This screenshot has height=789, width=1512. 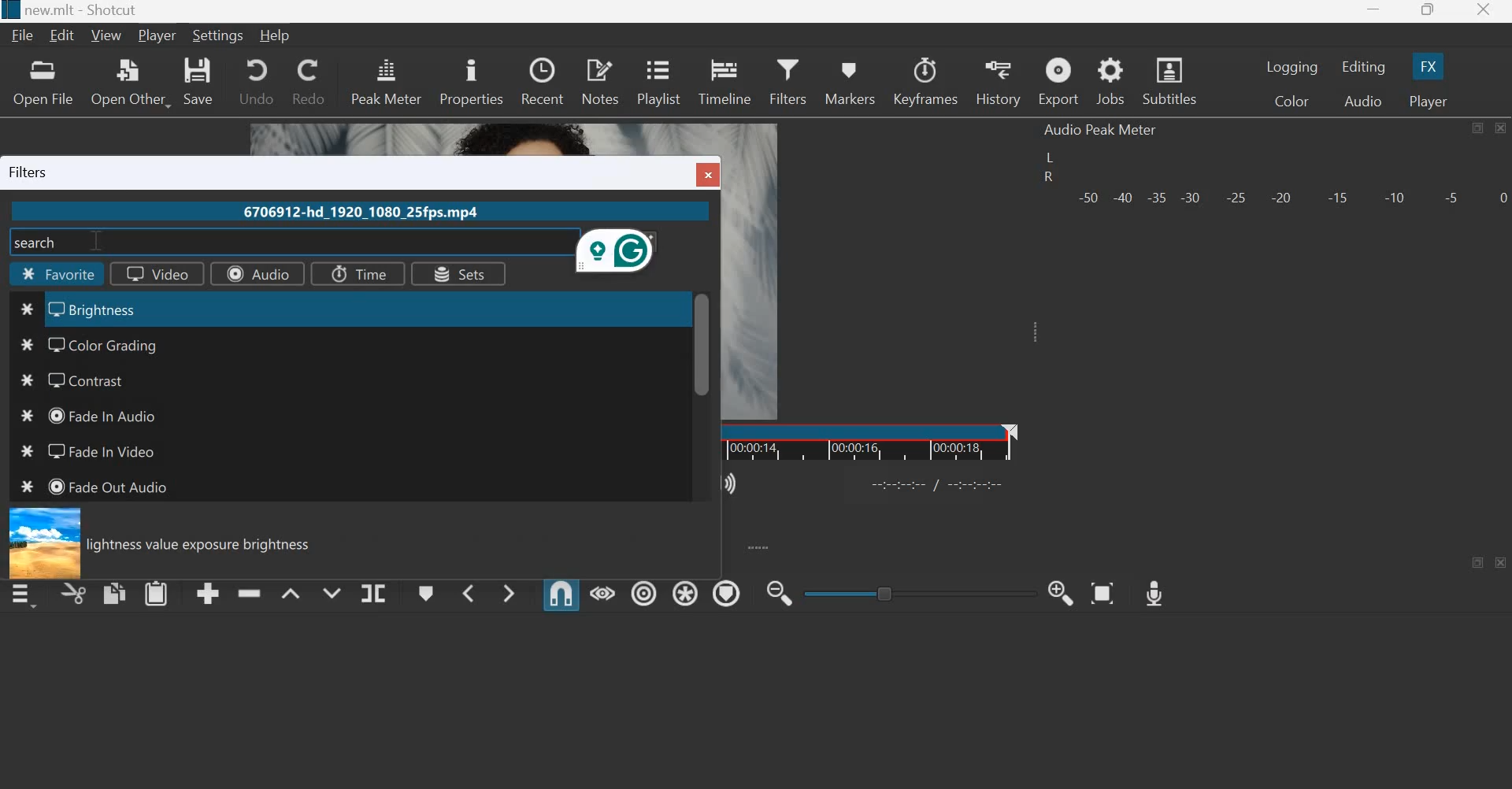 I want to click on , so click(x=711, y=173).